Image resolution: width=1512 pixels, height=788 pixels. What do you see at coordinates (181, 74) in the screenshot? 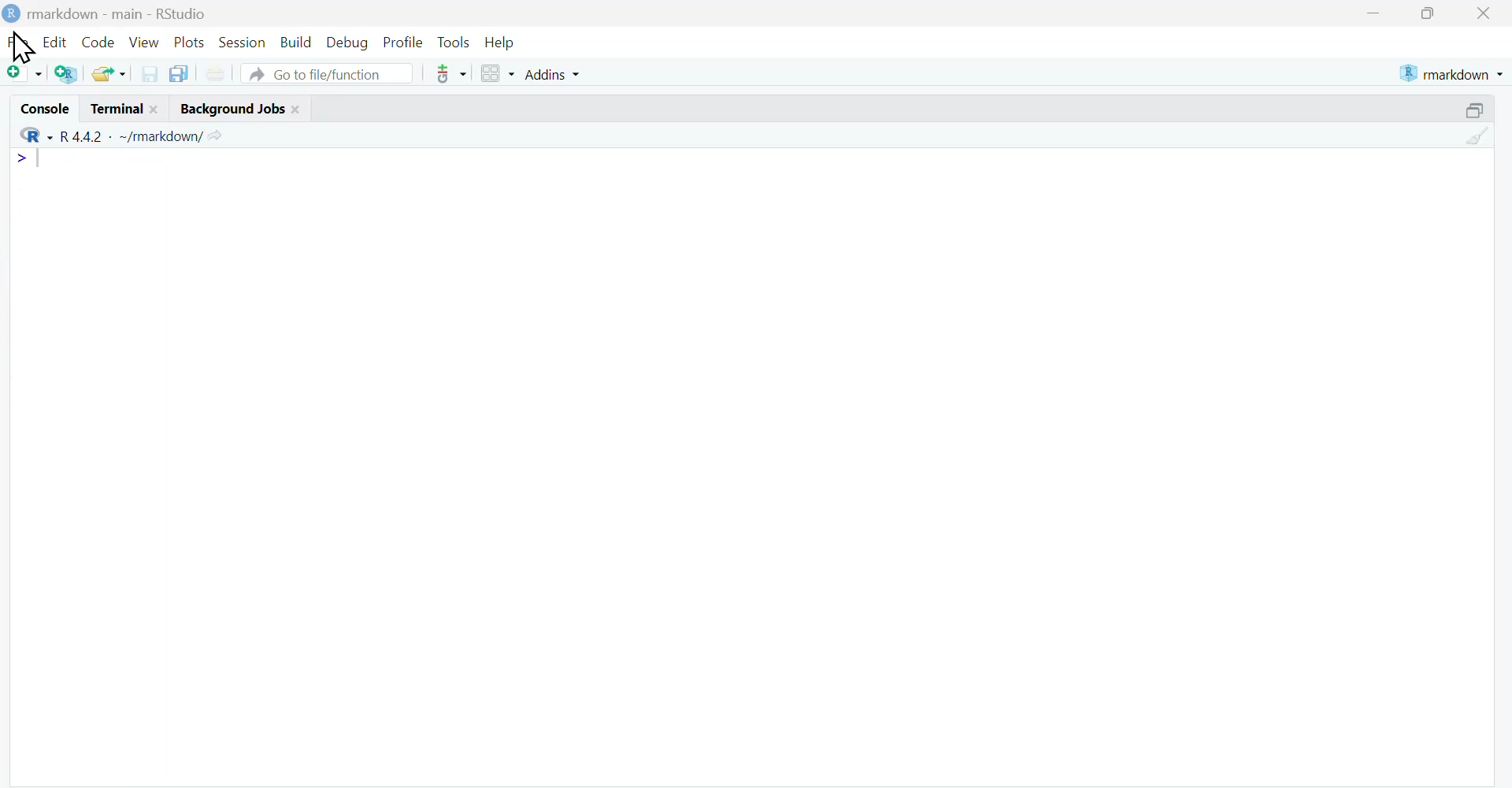
I see `Save all open documents` at bounding box center [181, 74].